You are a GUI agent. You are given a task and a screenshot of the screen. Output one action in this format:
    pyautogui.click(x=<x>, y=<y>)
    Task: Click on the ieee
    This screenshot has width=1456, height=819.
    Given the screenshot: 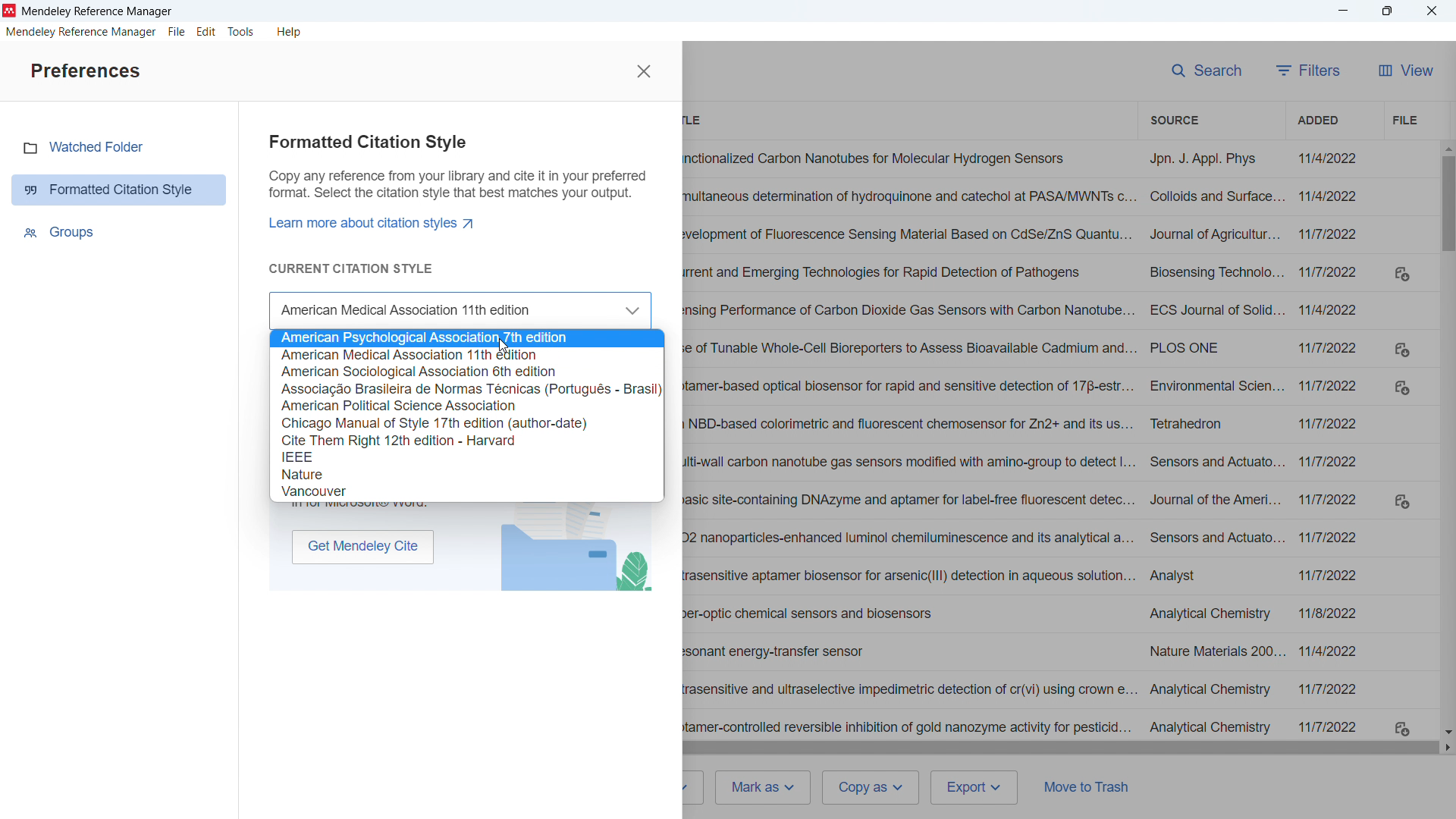 What is the action you would take?
    pyautogui.click(x=466, y=457)
    